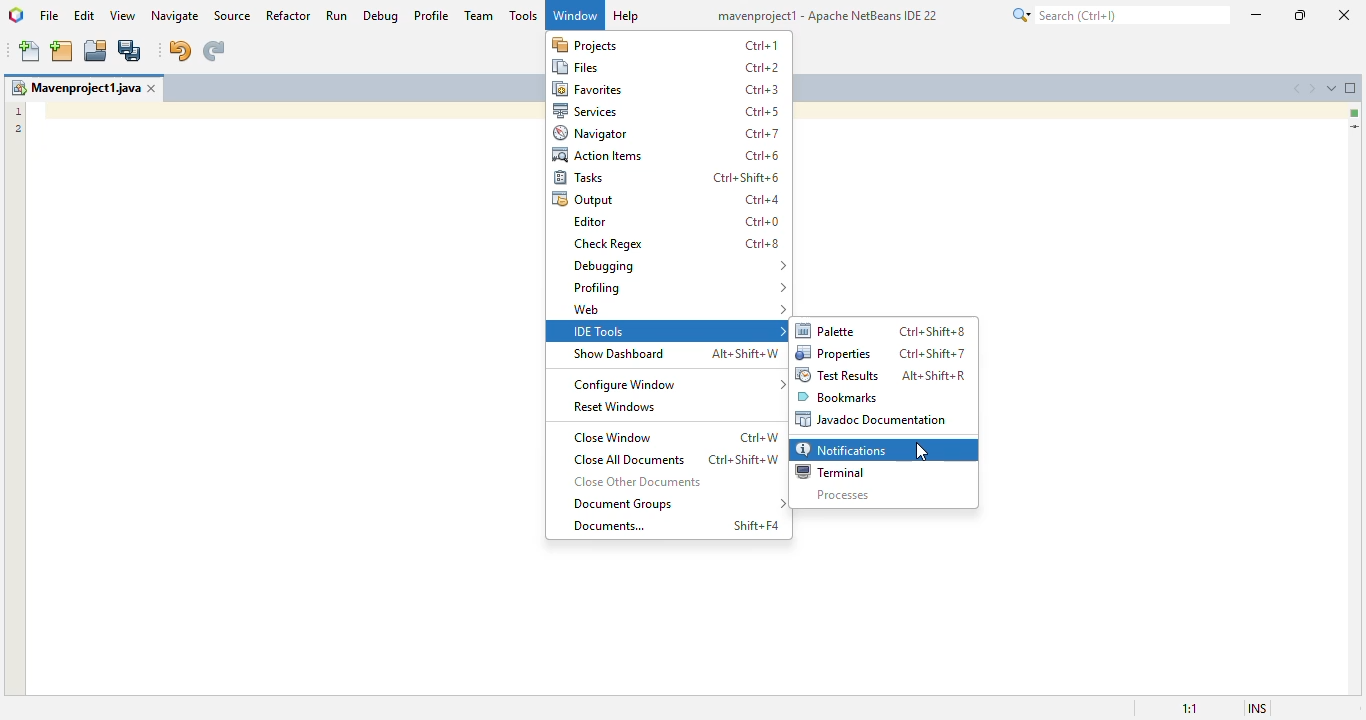 This screenshot has height=720, width=1366. What do you see at coordinates (762, 244) in the screenshot?
I see `shortcut for check regex` at bounding box center [762, 244].